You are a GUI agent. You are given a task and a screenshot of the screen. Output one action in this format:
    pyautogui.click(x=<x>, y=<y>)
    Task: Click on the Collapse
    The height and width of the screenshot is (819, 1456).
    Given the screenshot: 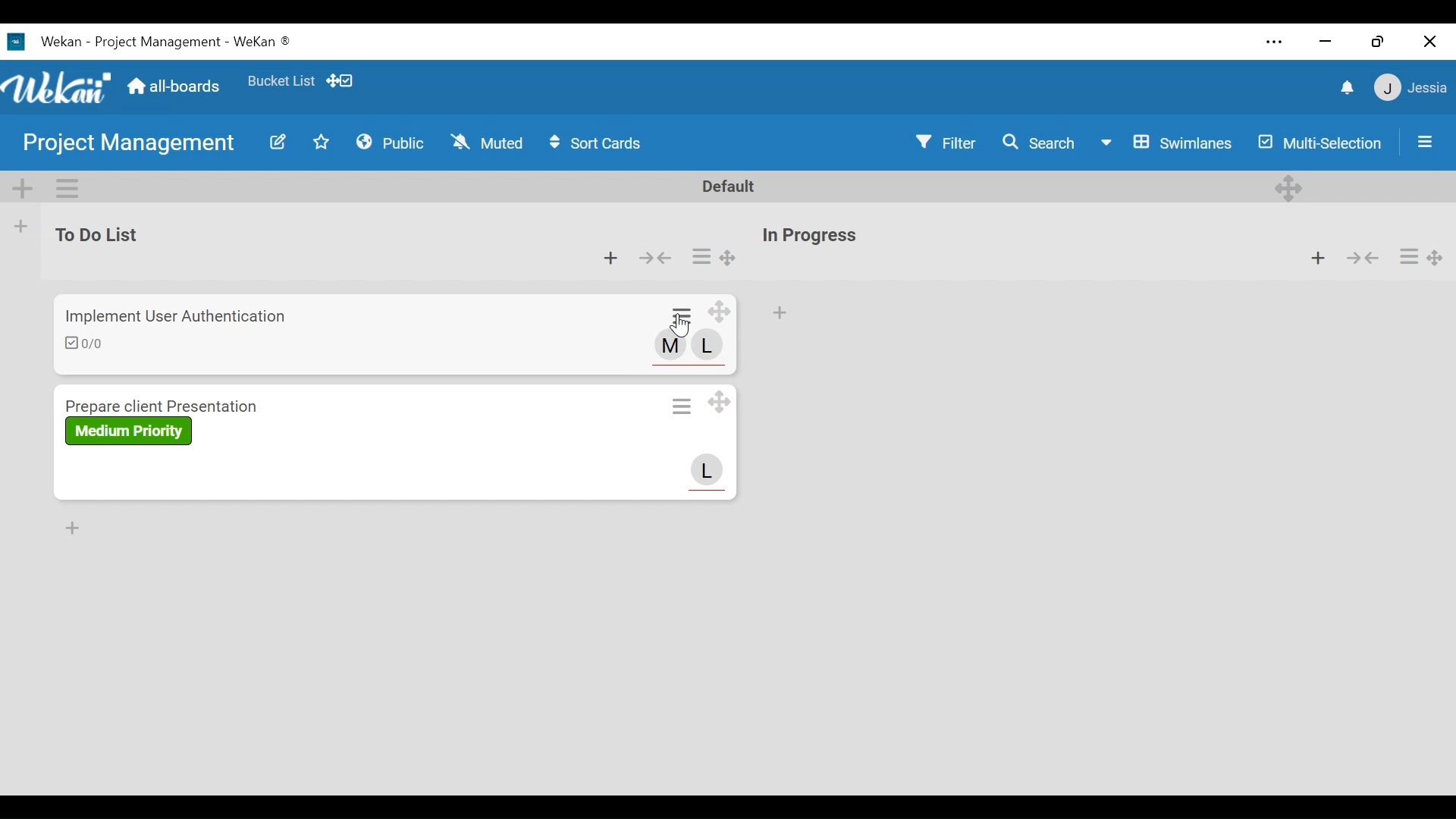 What is the action you would take?
    pyautogui.click(x=654, y=259)
    